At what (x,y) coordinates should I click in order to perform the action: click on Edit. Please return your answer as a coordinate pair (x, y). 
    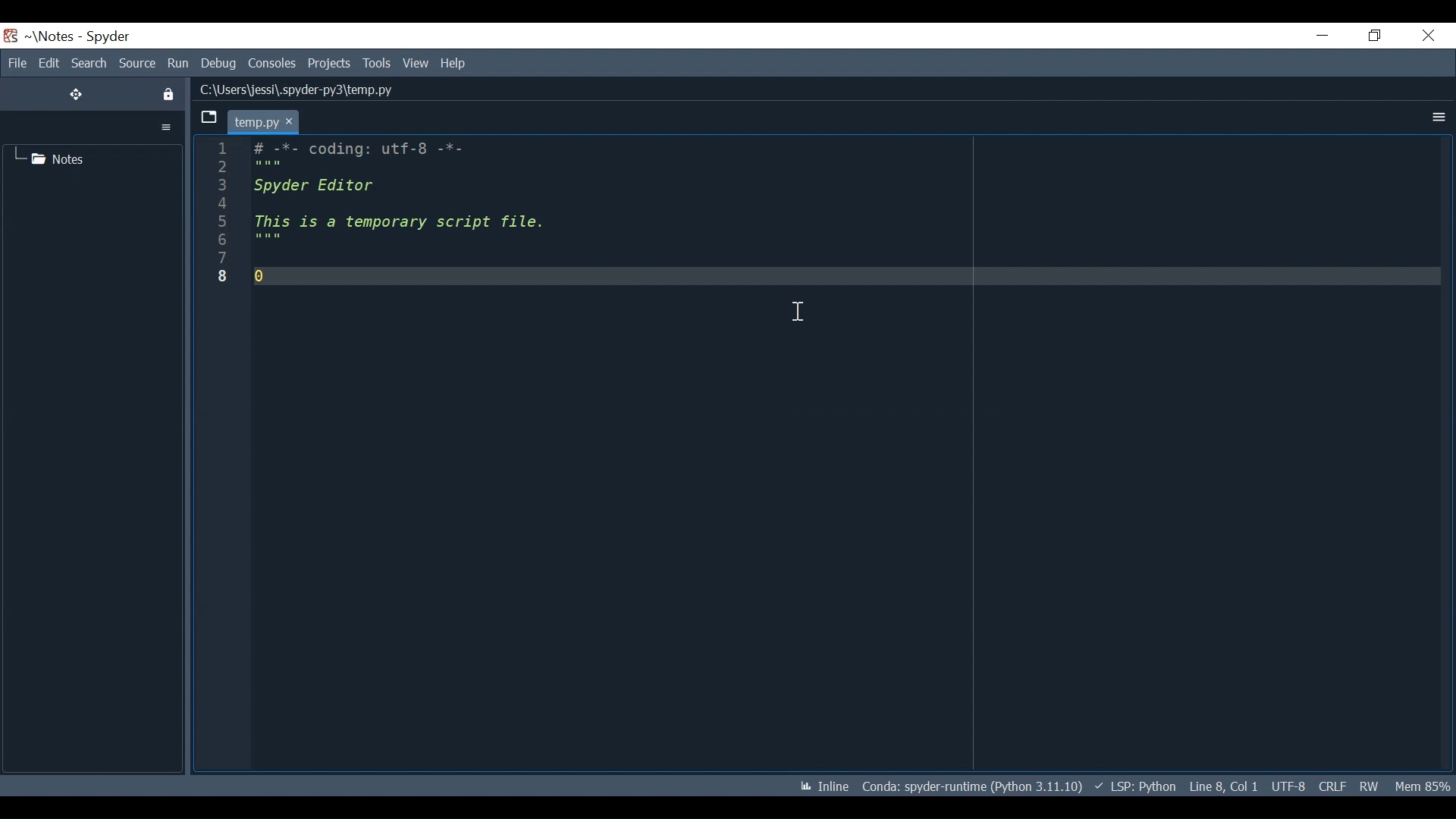
    Looking at the image, I should click on (49, 63).